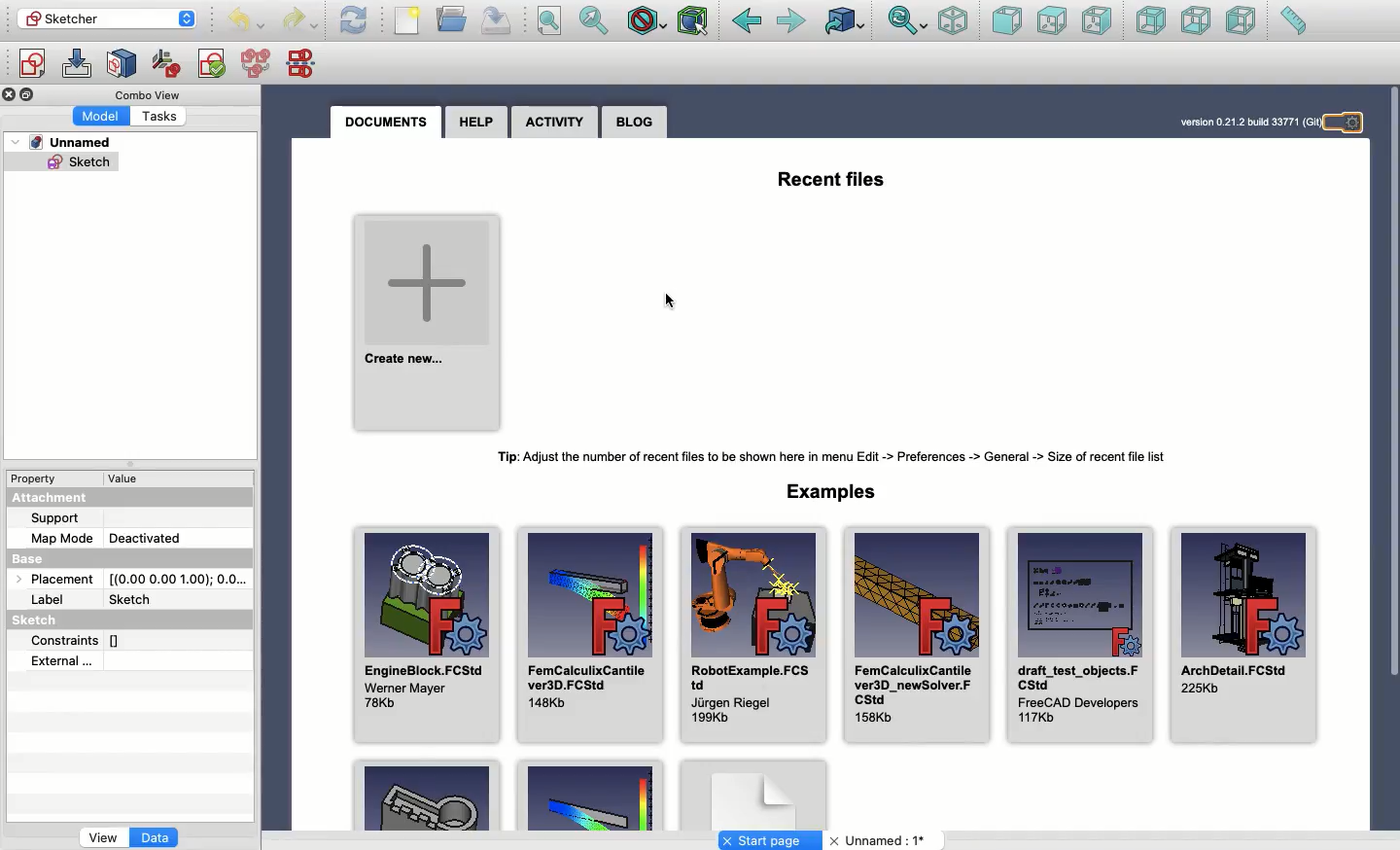 The width and height of the screenshot is (1400, 850). I want to click on Reorient , so click(166, 62).